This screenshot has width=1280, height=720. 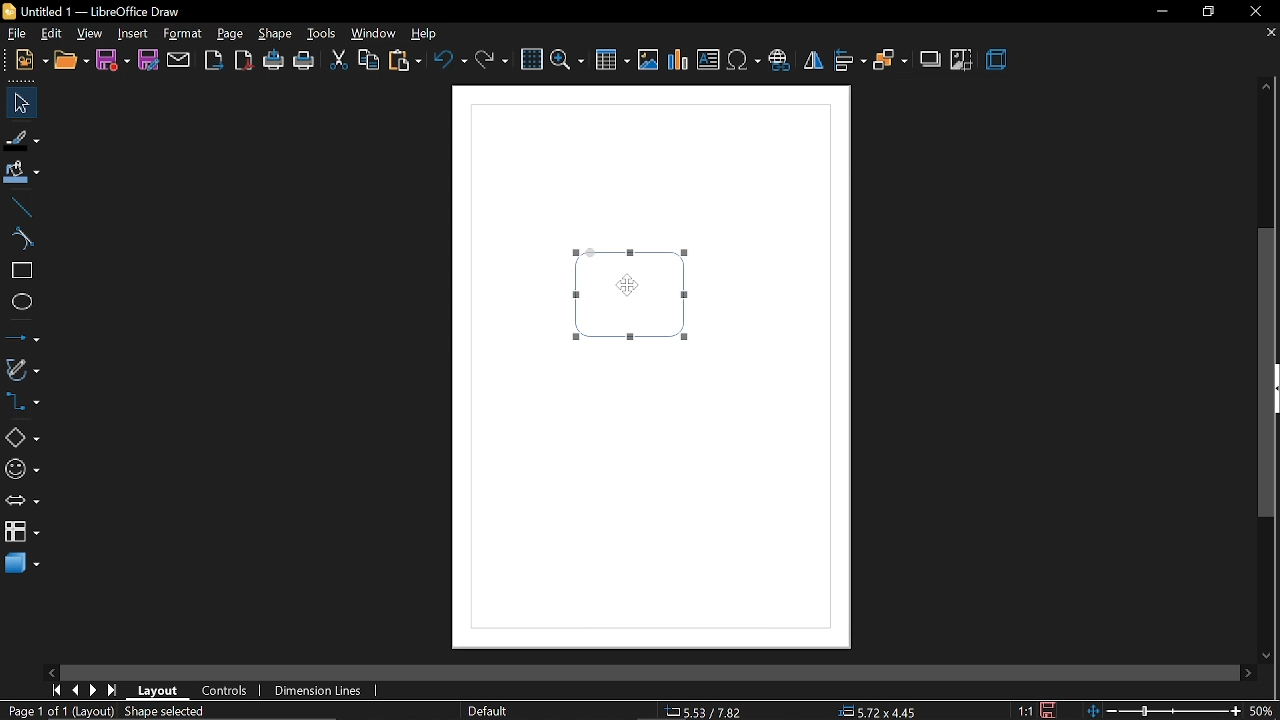 What do you see at coordinates (319, 692) in the screenshot?
I see `dimension lines` at bounding box center [319, 692].